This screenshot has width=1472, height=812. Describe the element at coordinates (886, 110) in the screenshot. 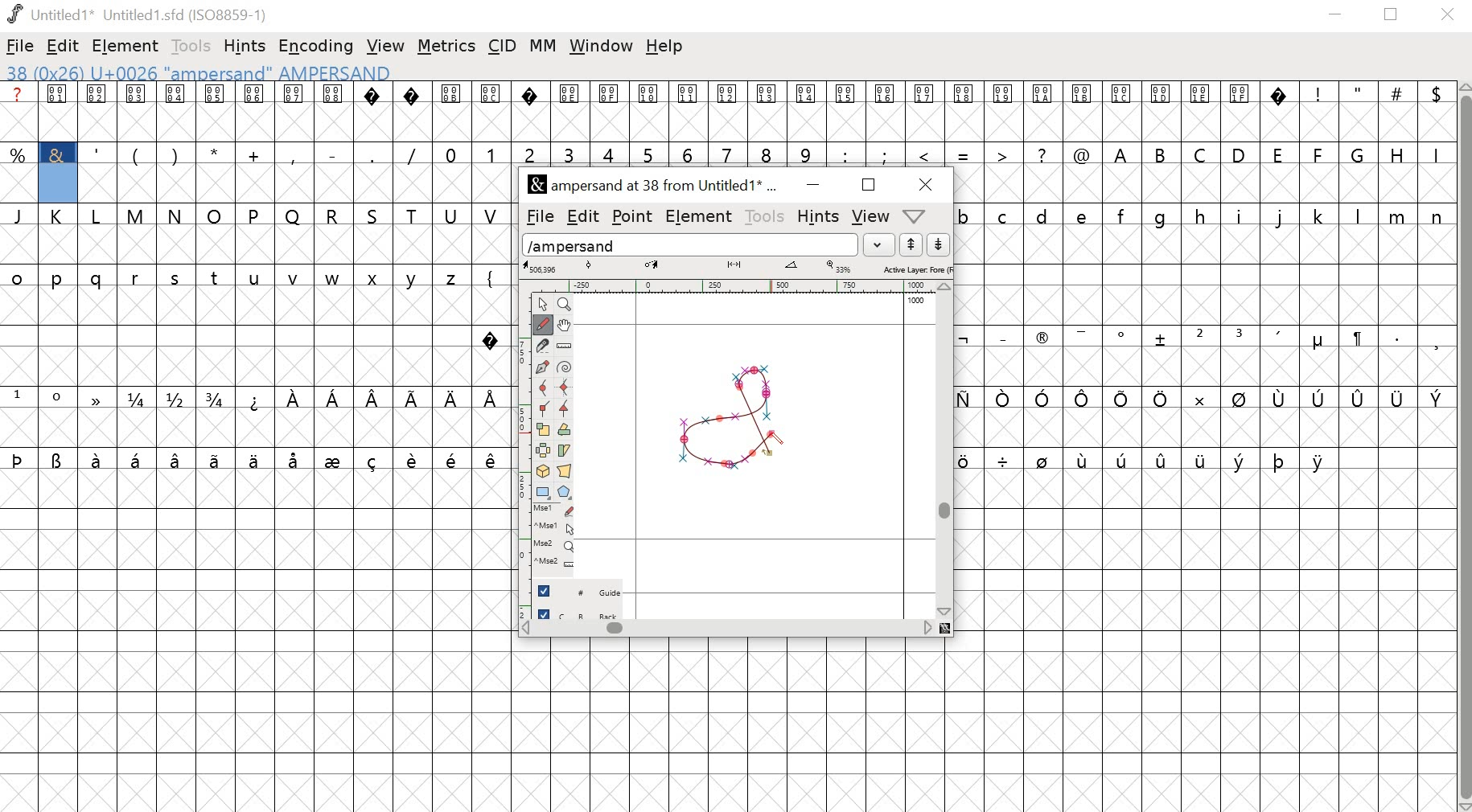

I see `0016` at that location.